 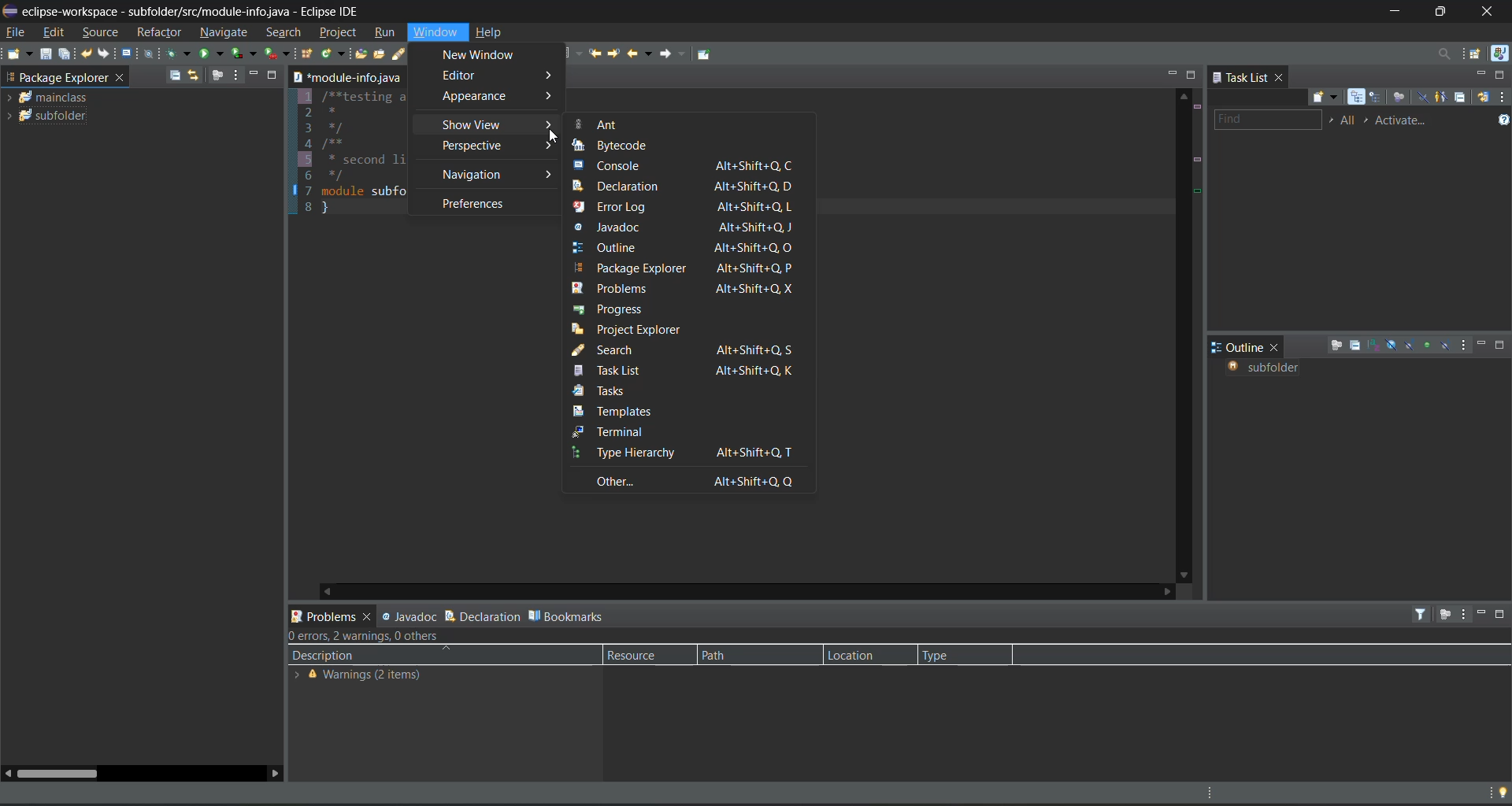 I want to click on location, so click(x=864, y=654).